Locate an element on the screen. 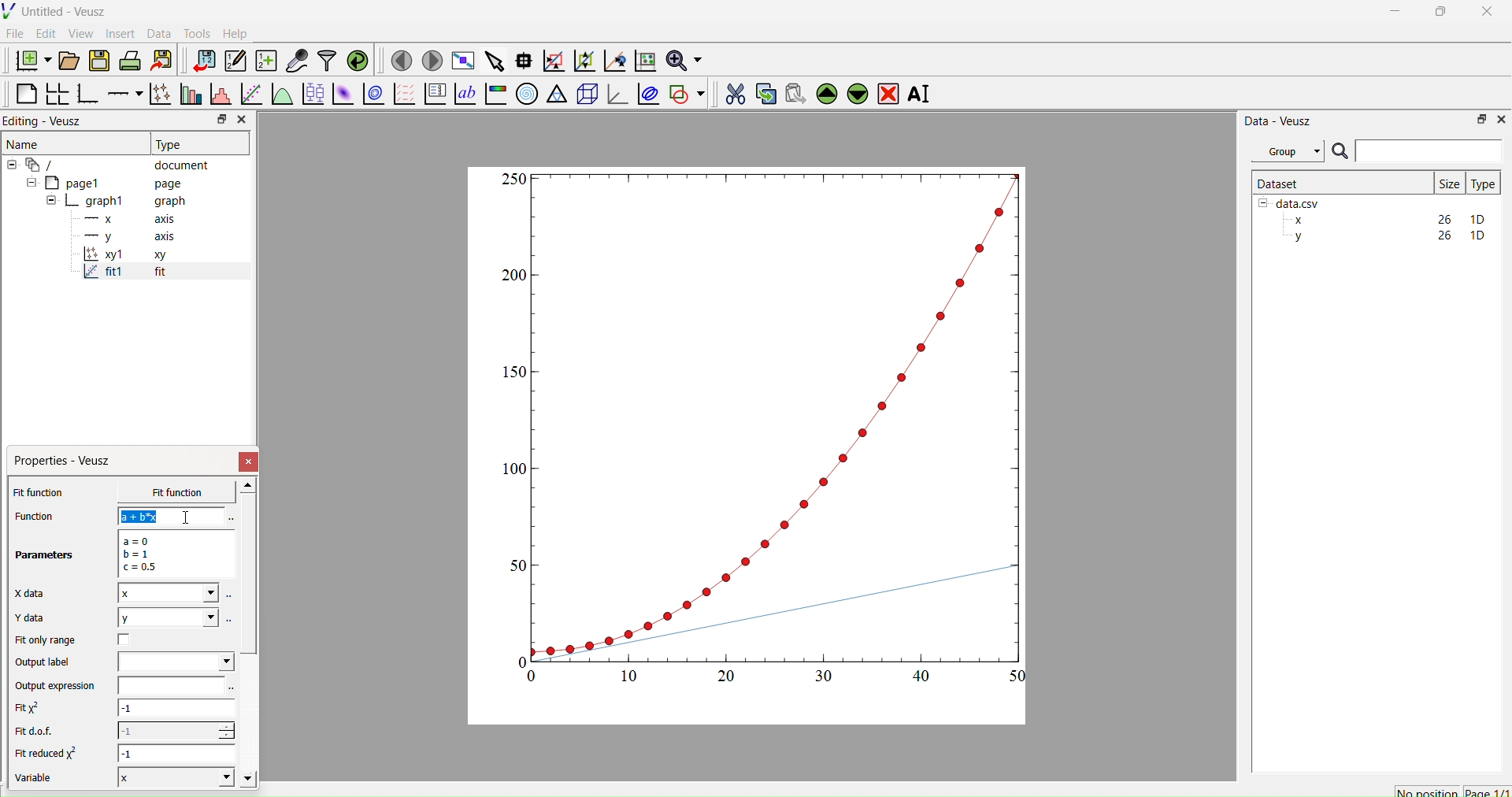  Open is located at coordinates (66, 61).